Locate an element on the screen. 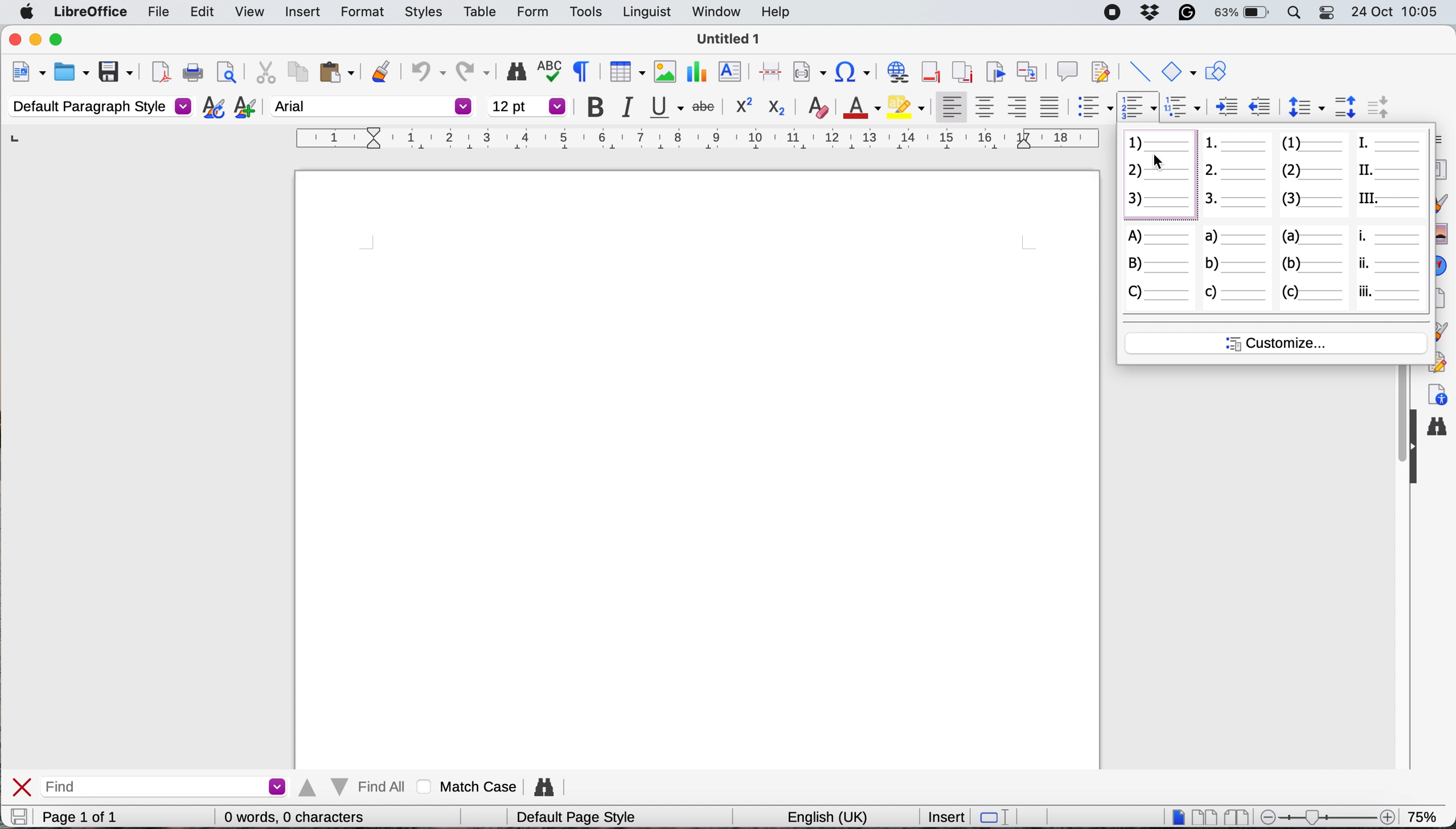 This screenshot has height=829, width=1456. insert is located at coordinates (942, 816).